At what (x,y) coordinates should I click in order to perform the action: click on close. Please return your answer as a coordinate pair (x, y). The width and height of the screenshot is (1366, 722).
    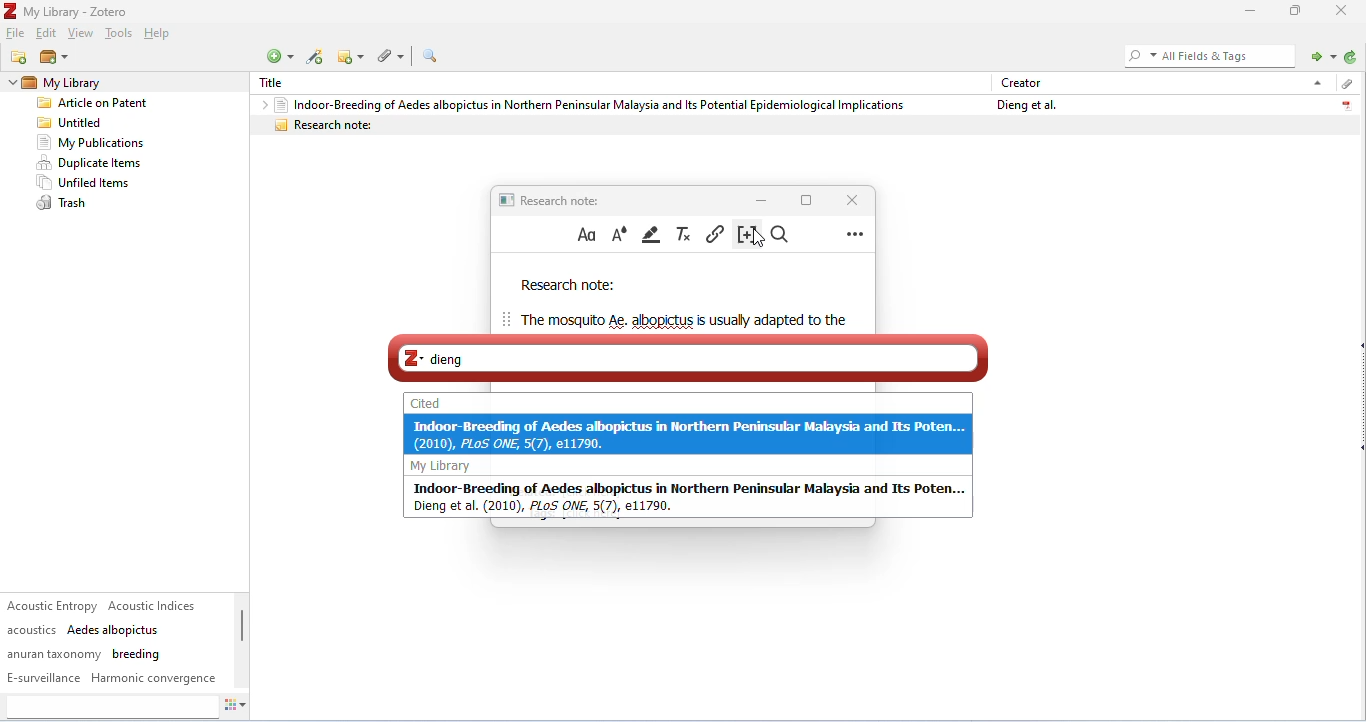
    Looking at the image, I should click on (849, 199).